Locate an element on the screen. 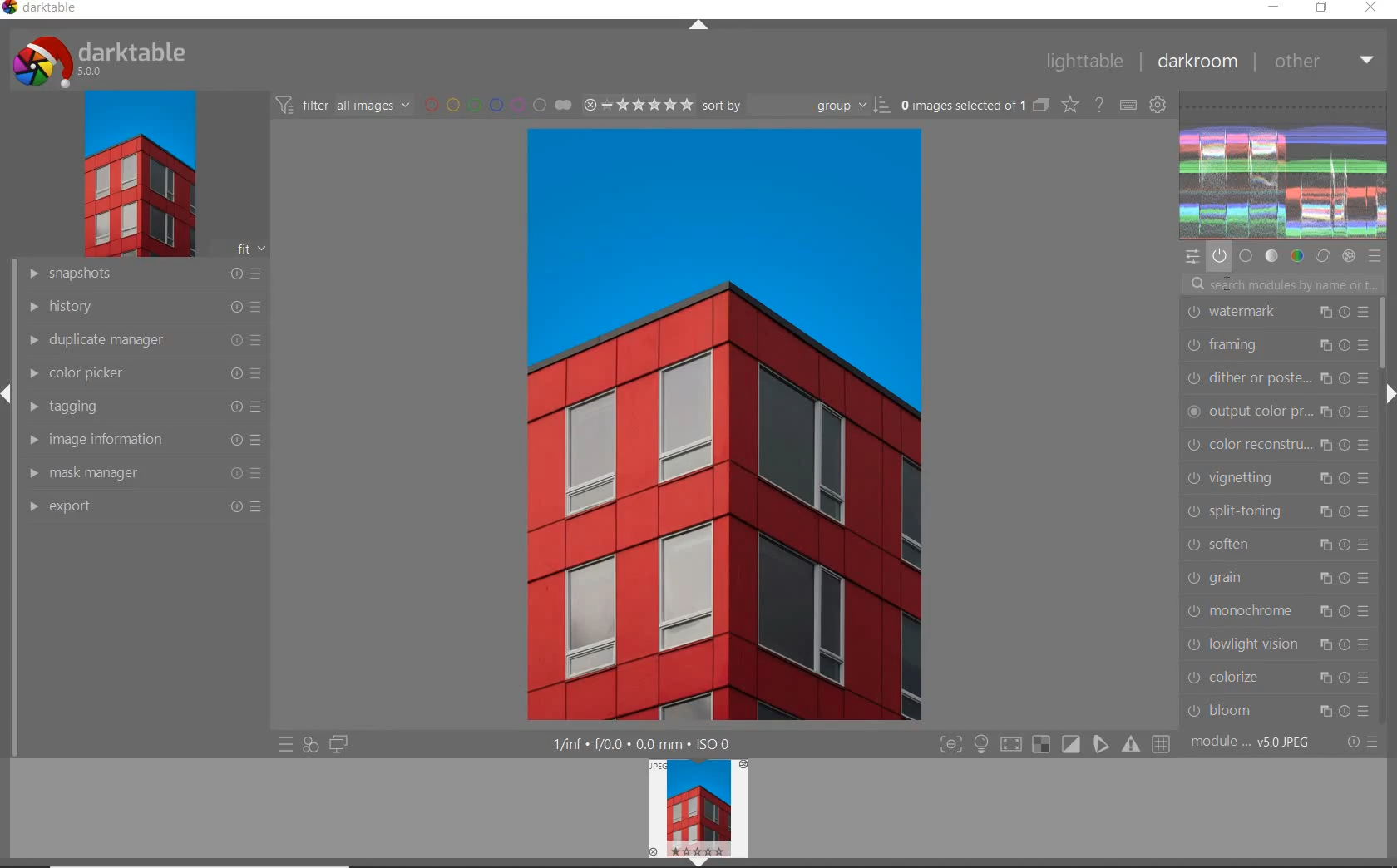  colorize is located at coordinates (1276, 678).